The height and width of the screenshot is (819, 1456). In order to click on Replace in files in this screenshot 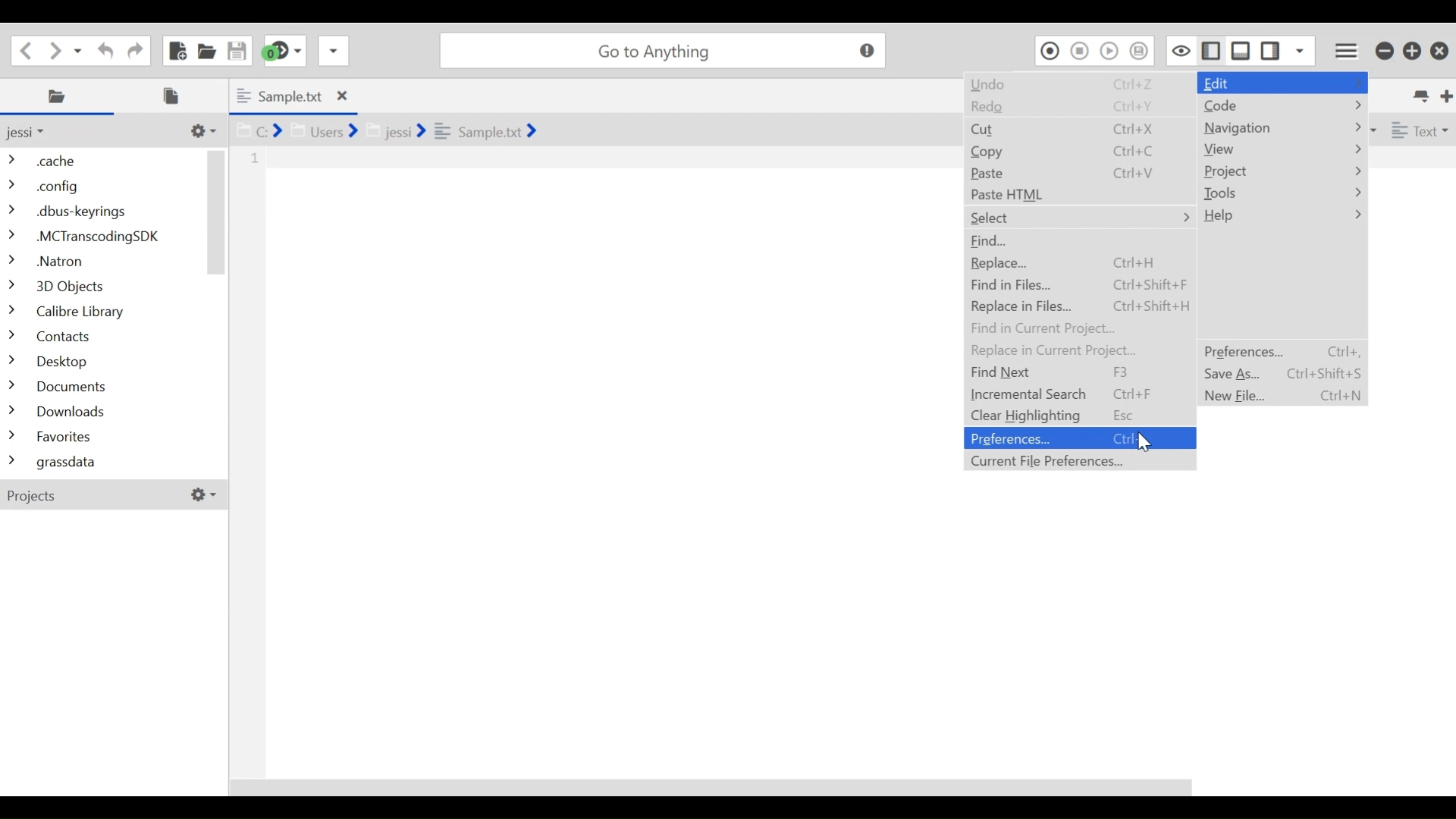, I will do `click(1077, 306)`.